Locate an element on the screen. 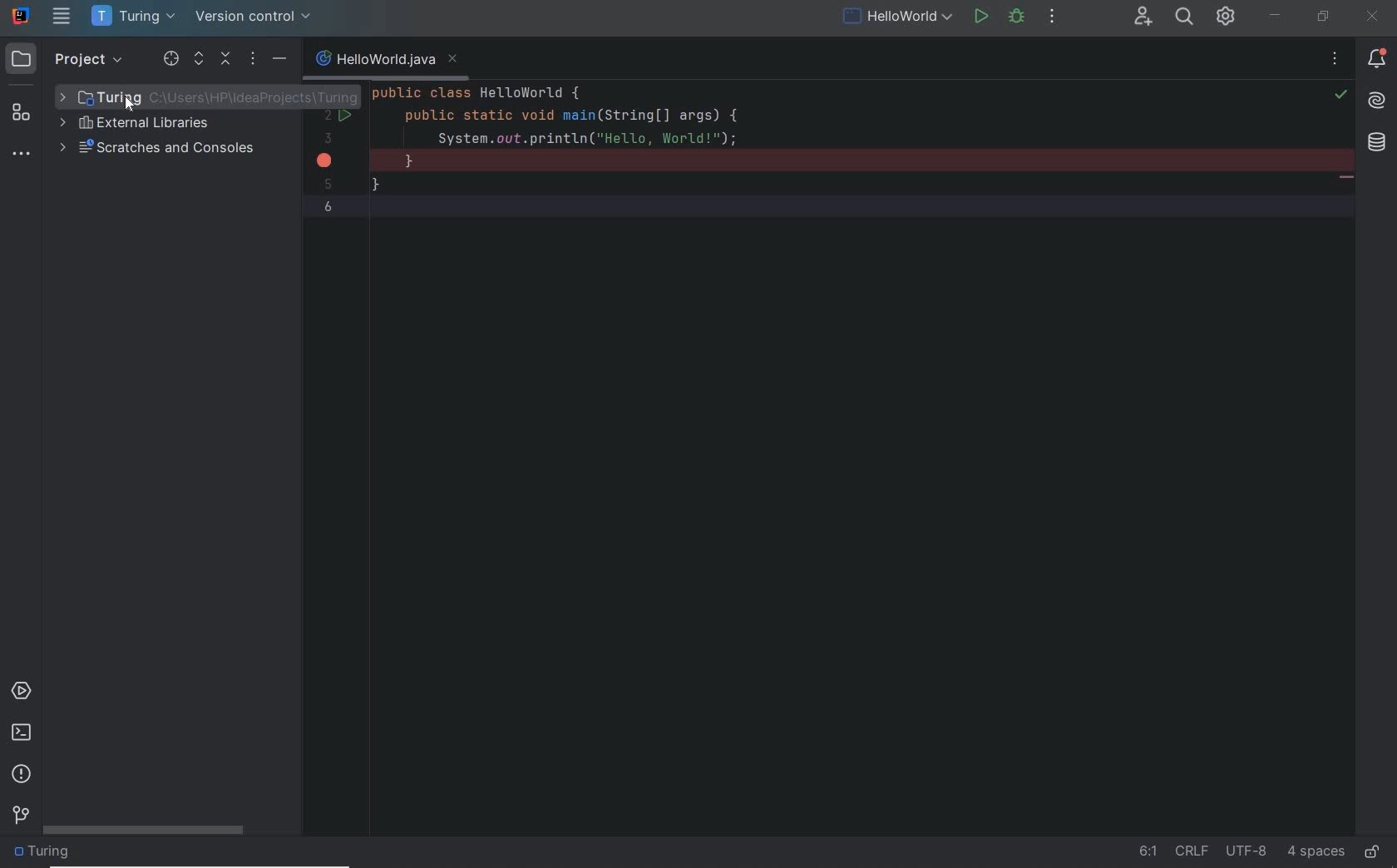  run or debug configurations is located at coordinates (900, 18).